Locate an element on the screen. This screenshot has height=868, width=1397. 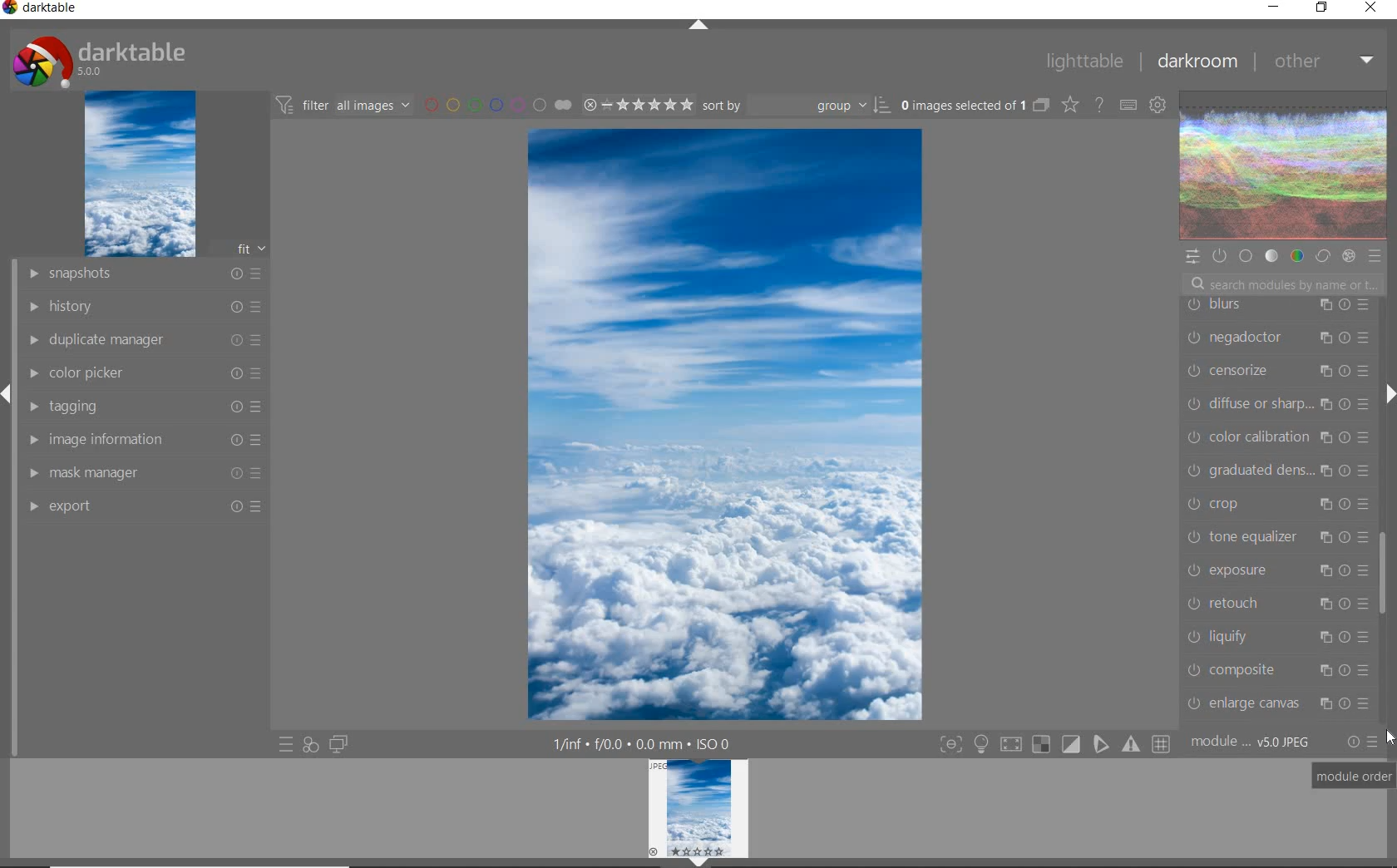
darktable 5.0.0 is located at coordinates (96, 58).